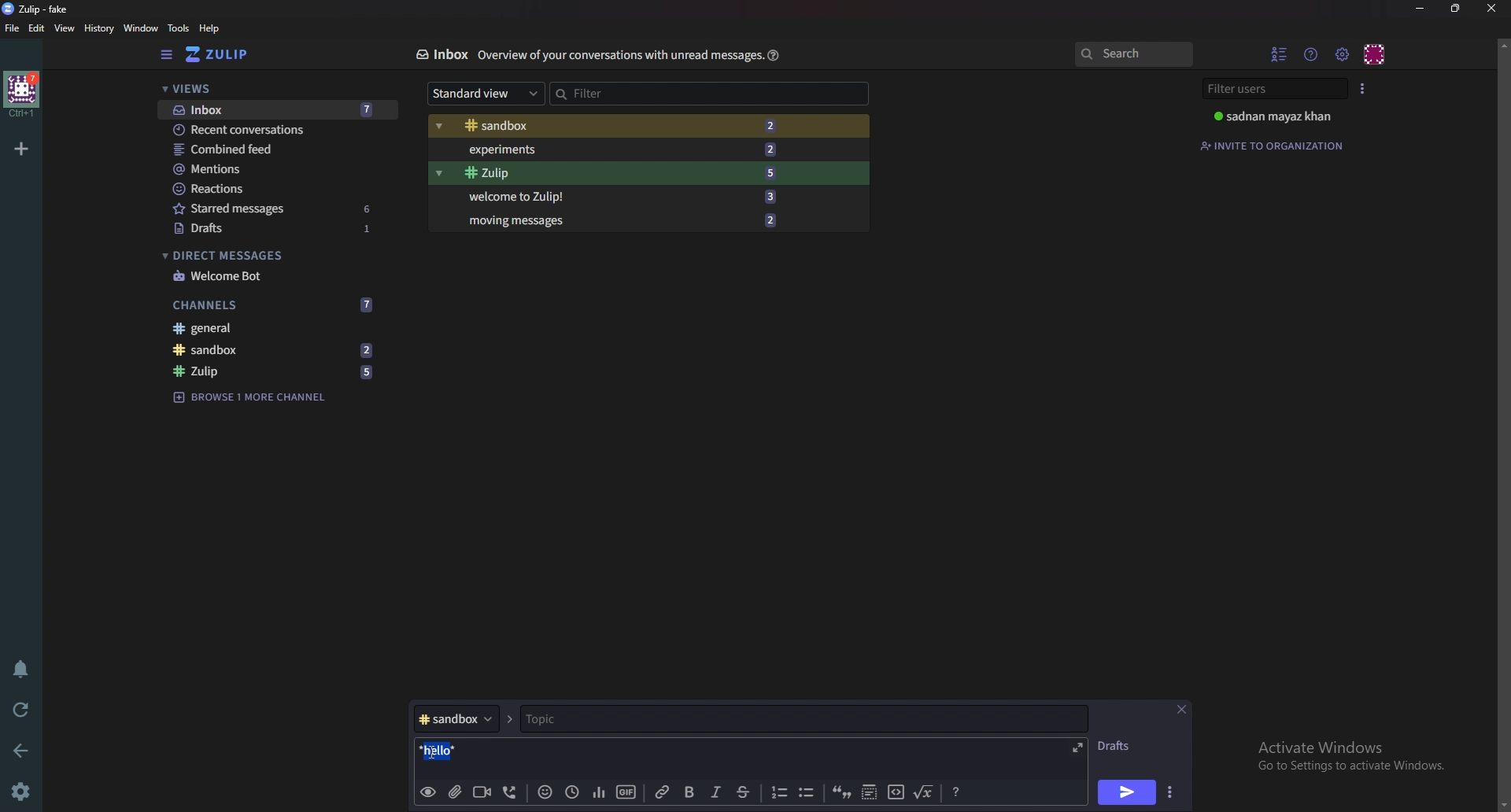 Image resolution: width=1511 pixels, height=812 pixels. I want to click on Mentions, so click(272, 169).